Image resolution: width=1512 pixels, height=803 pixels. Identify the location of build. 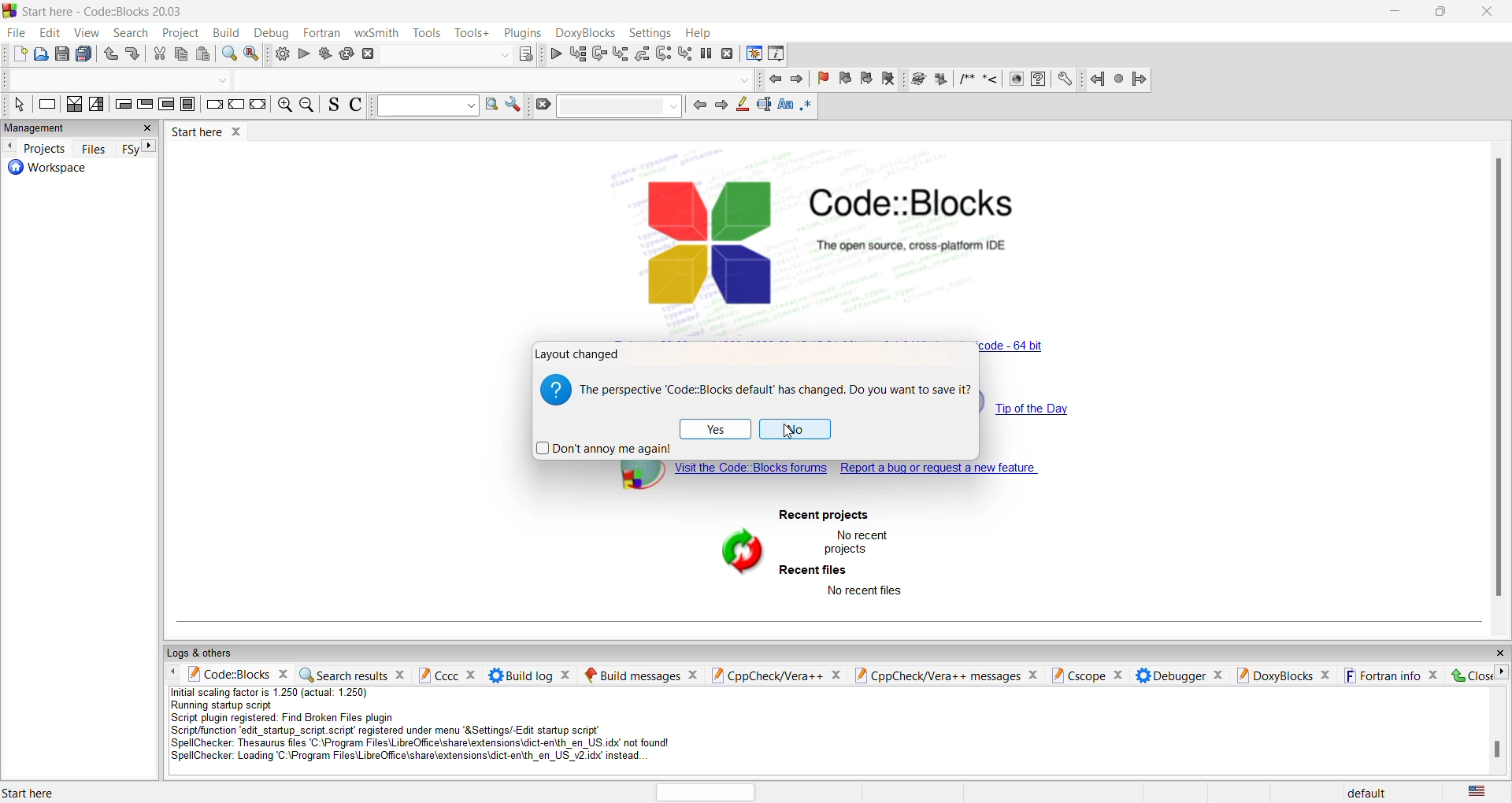
(282, 54).